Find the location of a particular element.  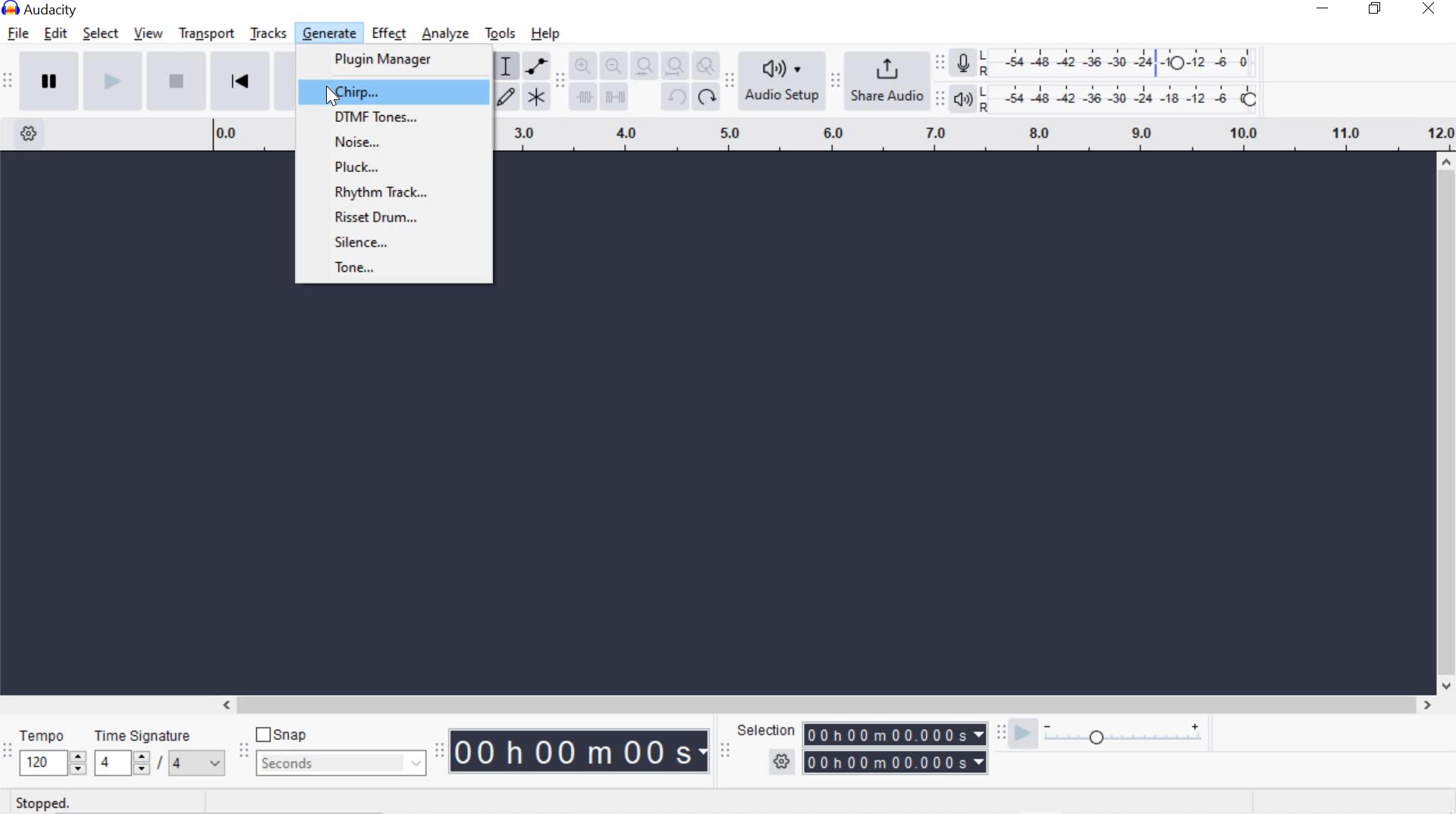

Play-at-speed is located at coordinates (1022, 735).